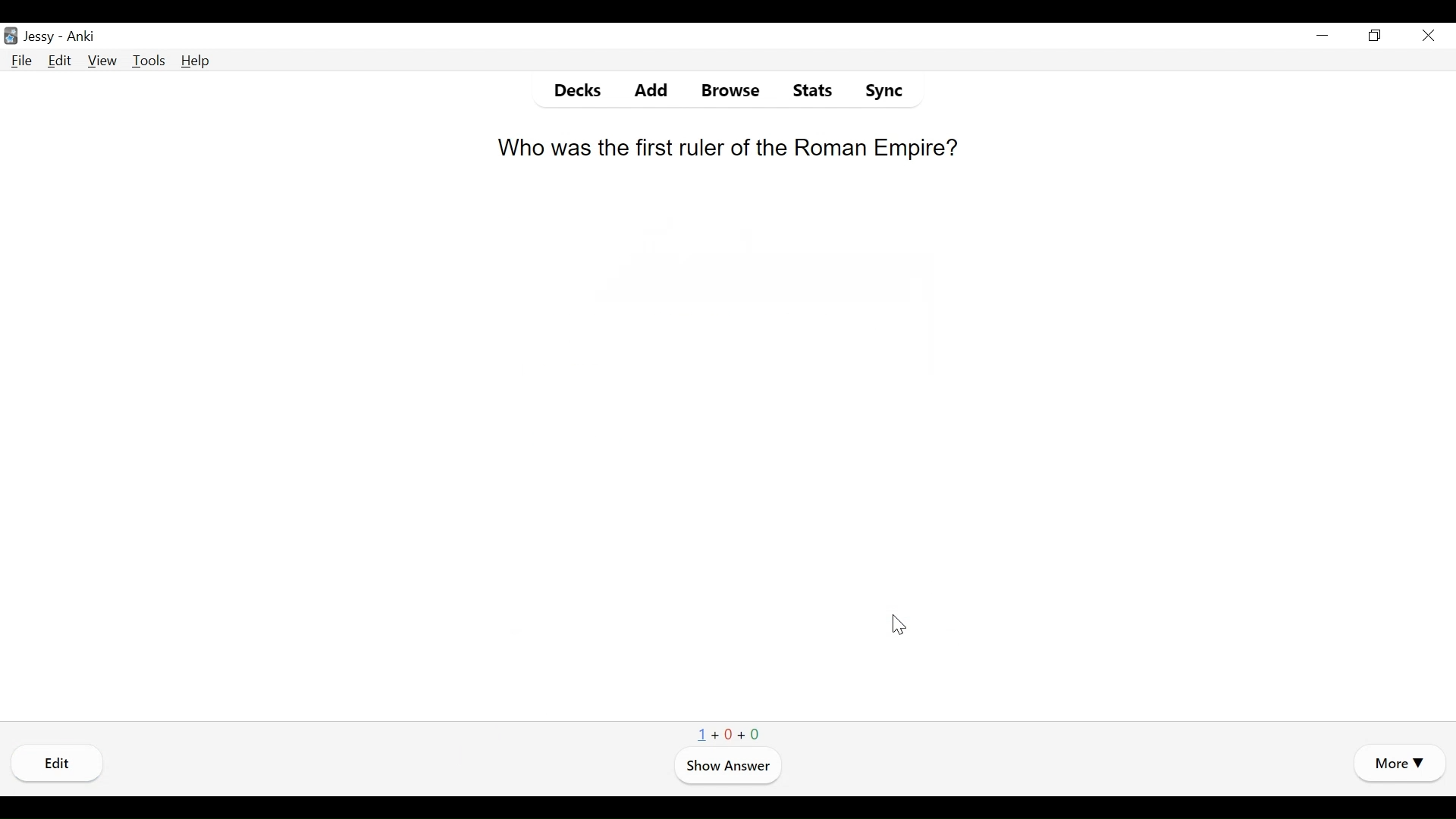 The height and width of the screenshot is (819, 1456). Describe the element at coordinates (726, 767) in the screenshot. I see `Show Answer` at that location.